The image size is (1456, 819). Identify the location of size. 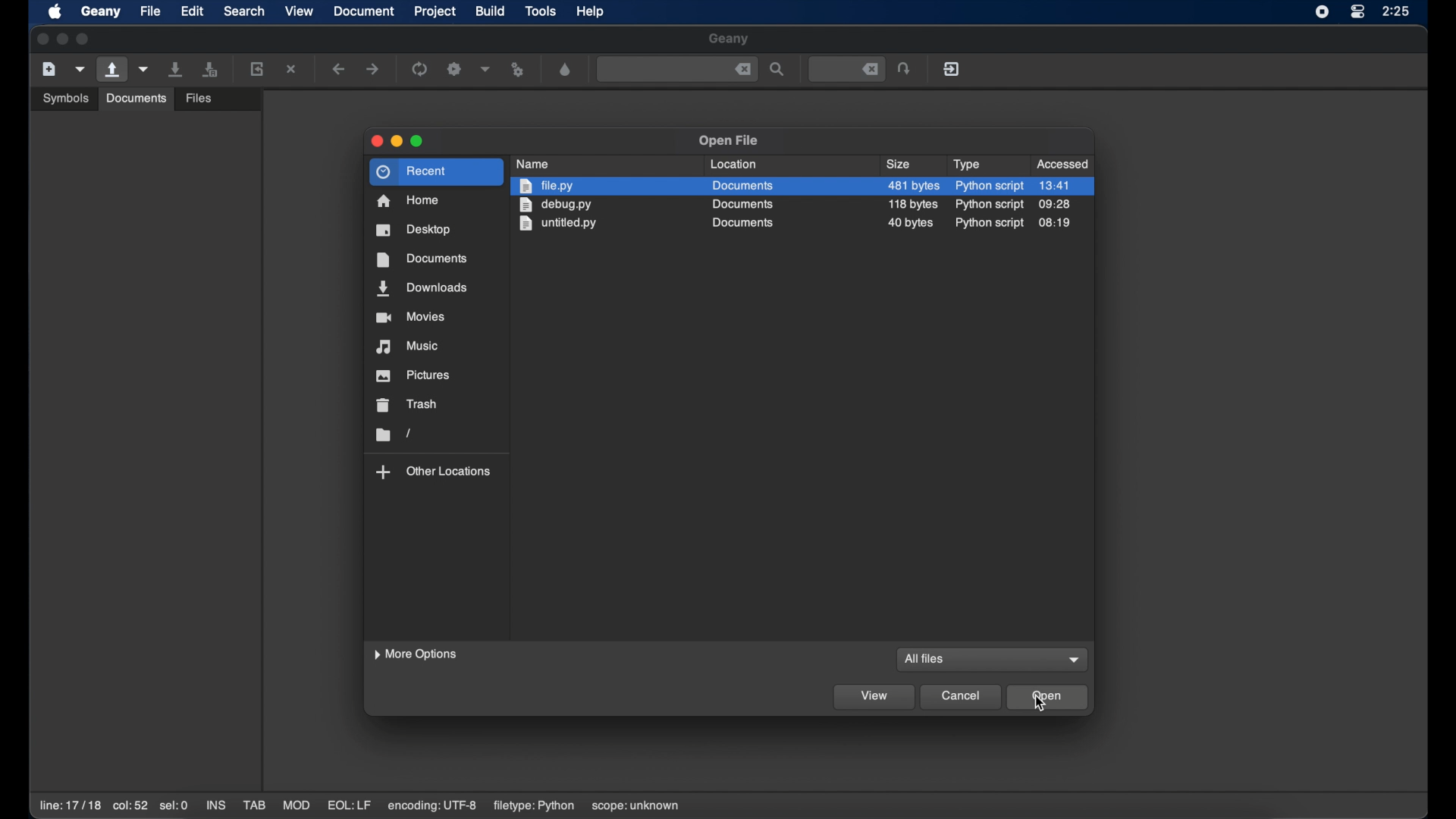
(913, 223).